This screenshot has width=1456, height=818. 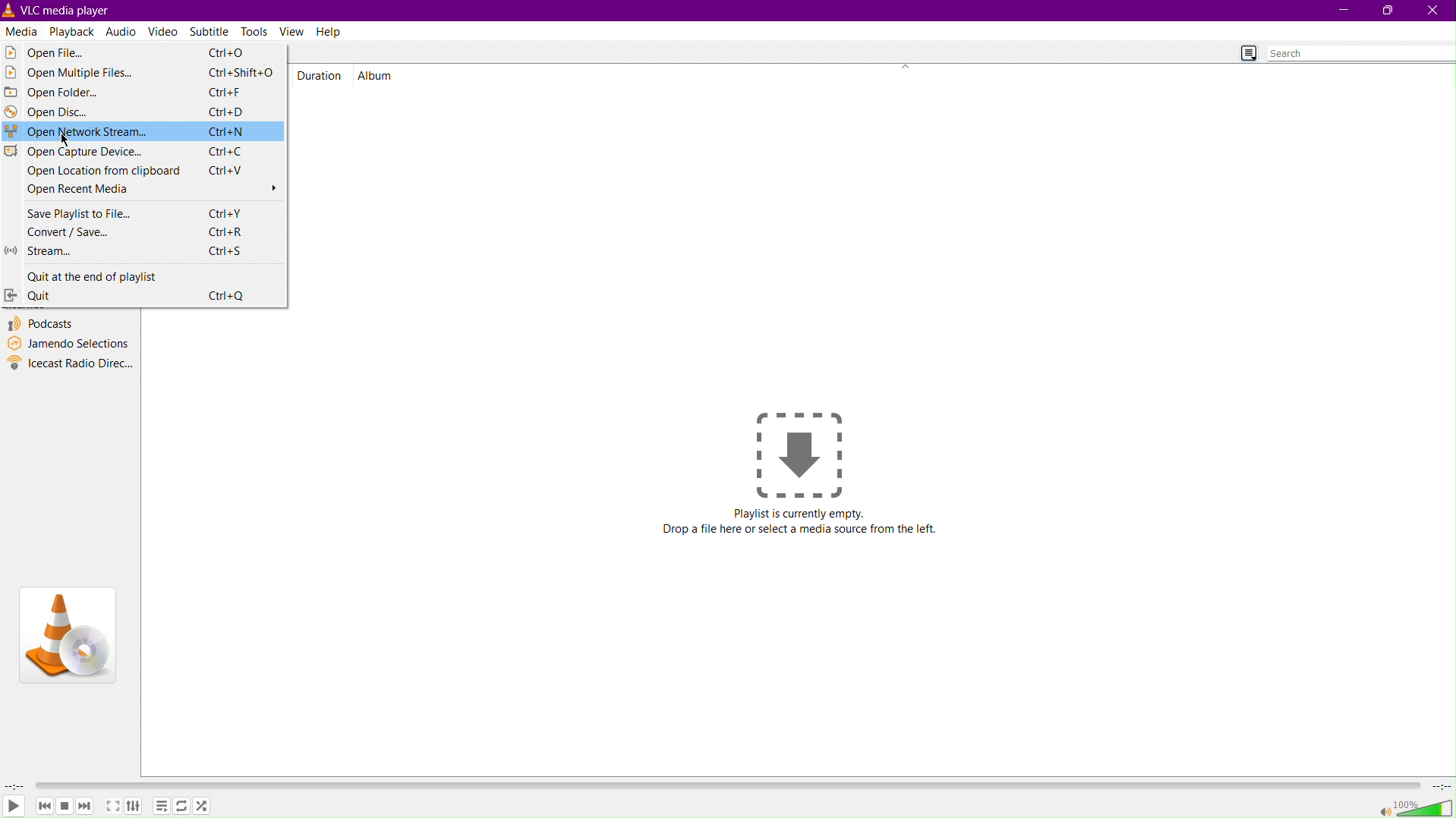 I want to click on Random, so click(x=206, y=807).